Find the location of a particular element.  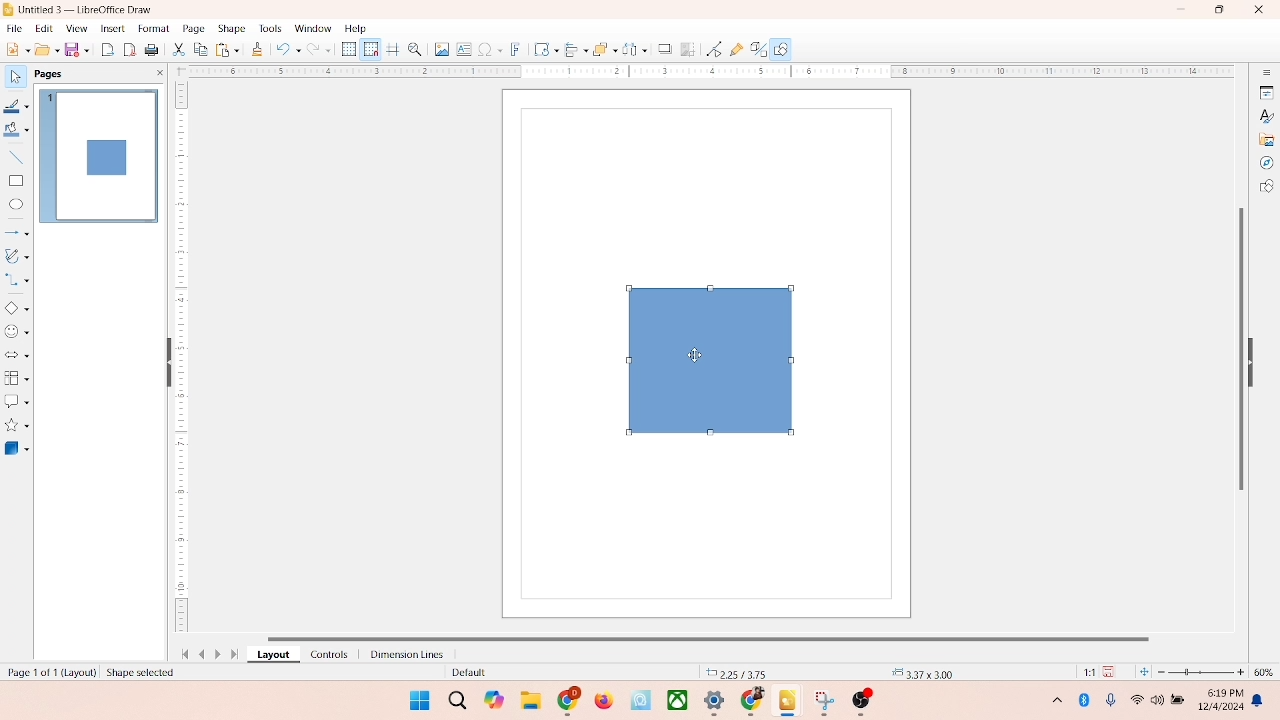

curves and polygons is located at coordinates (18, 254).